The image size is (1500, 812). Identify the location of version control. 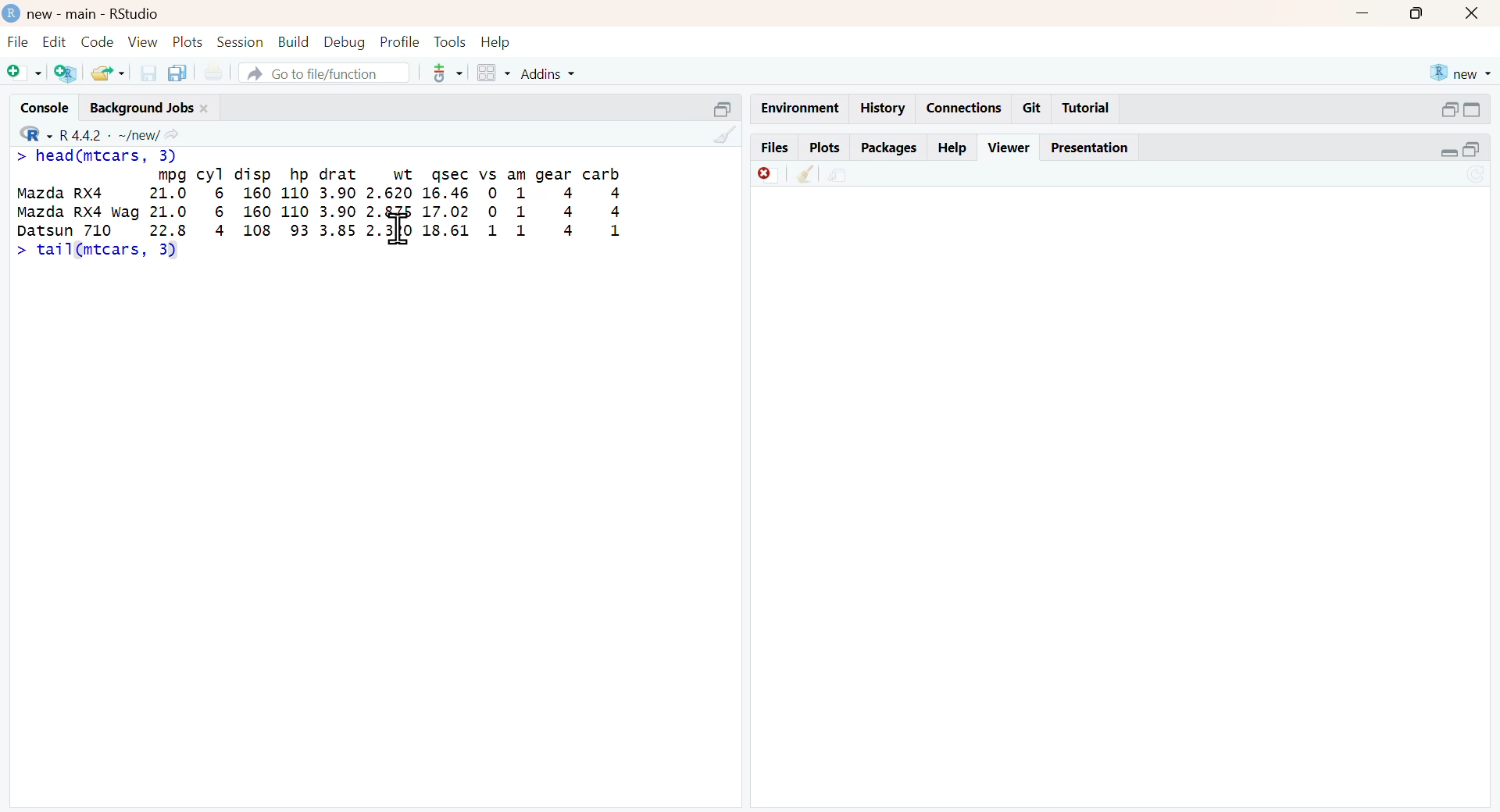
(444, 73).